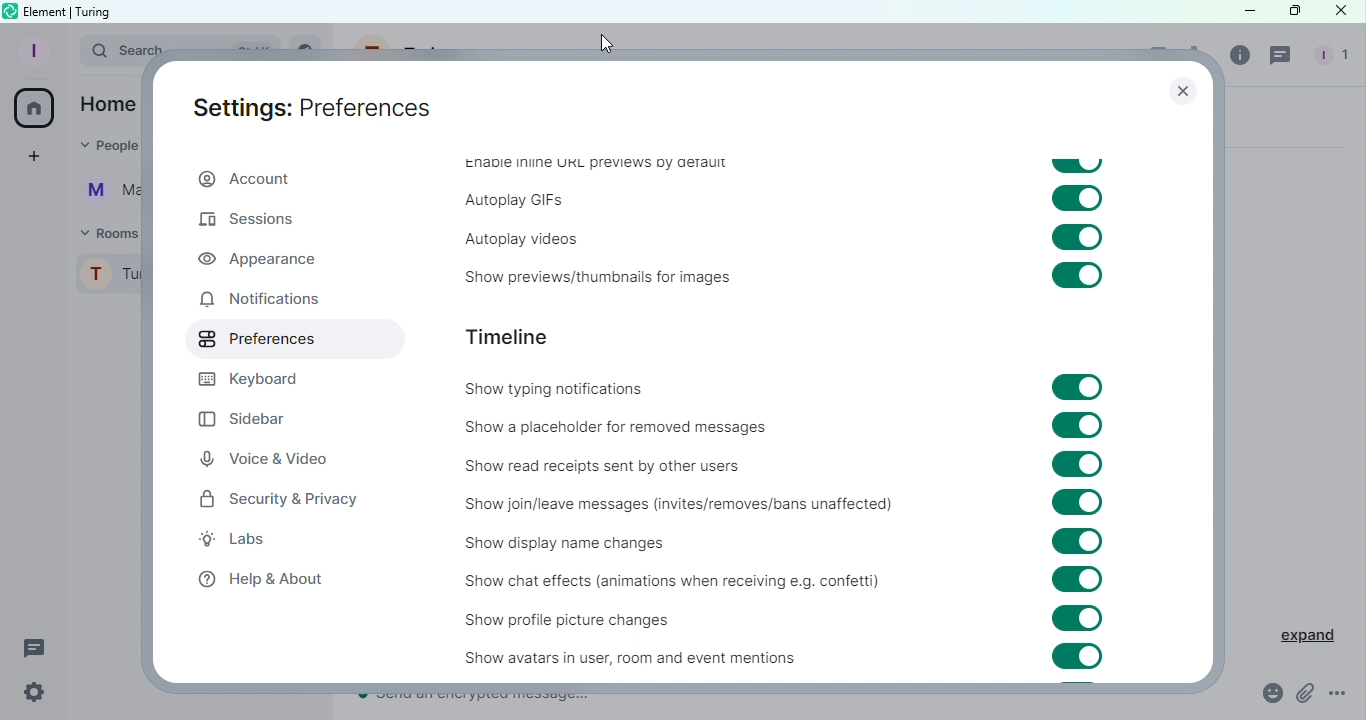  I want to click on Martina Tornello, so click(106, 195).